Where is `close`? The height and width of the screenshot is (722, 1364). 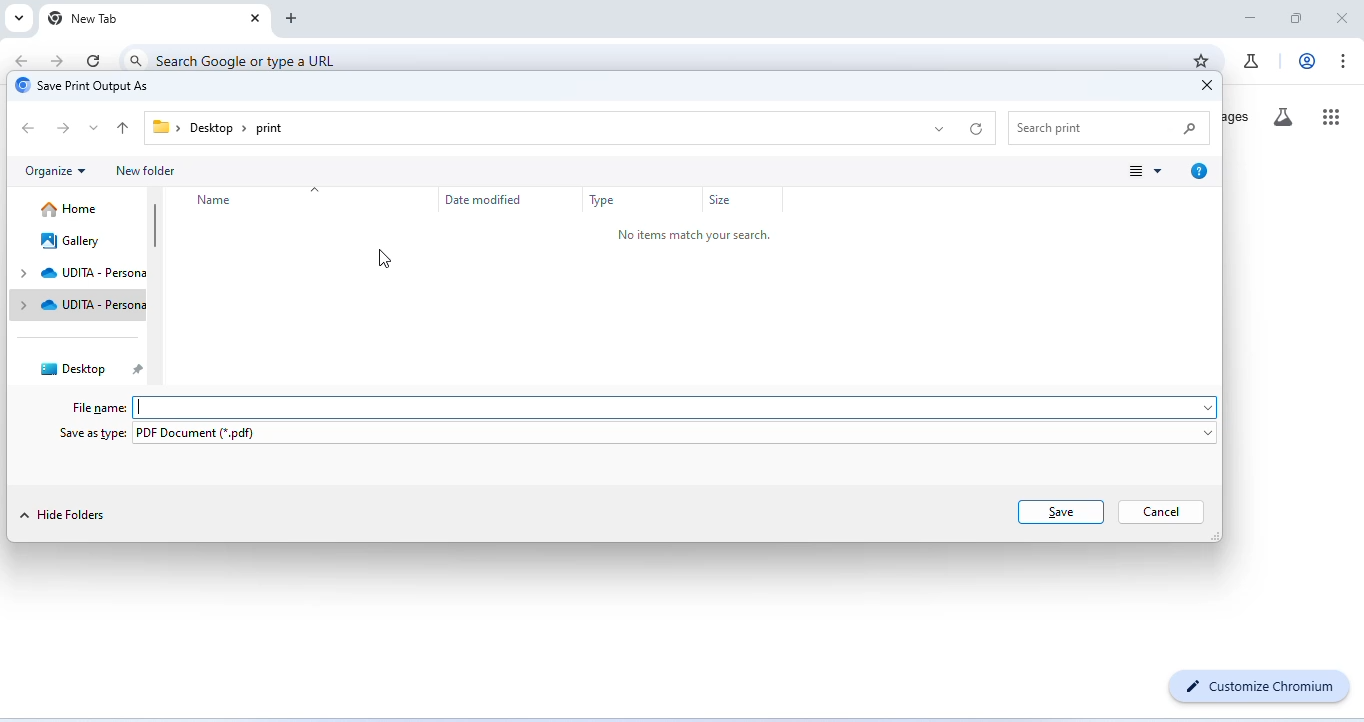
close is located at coordinates (252, 18).